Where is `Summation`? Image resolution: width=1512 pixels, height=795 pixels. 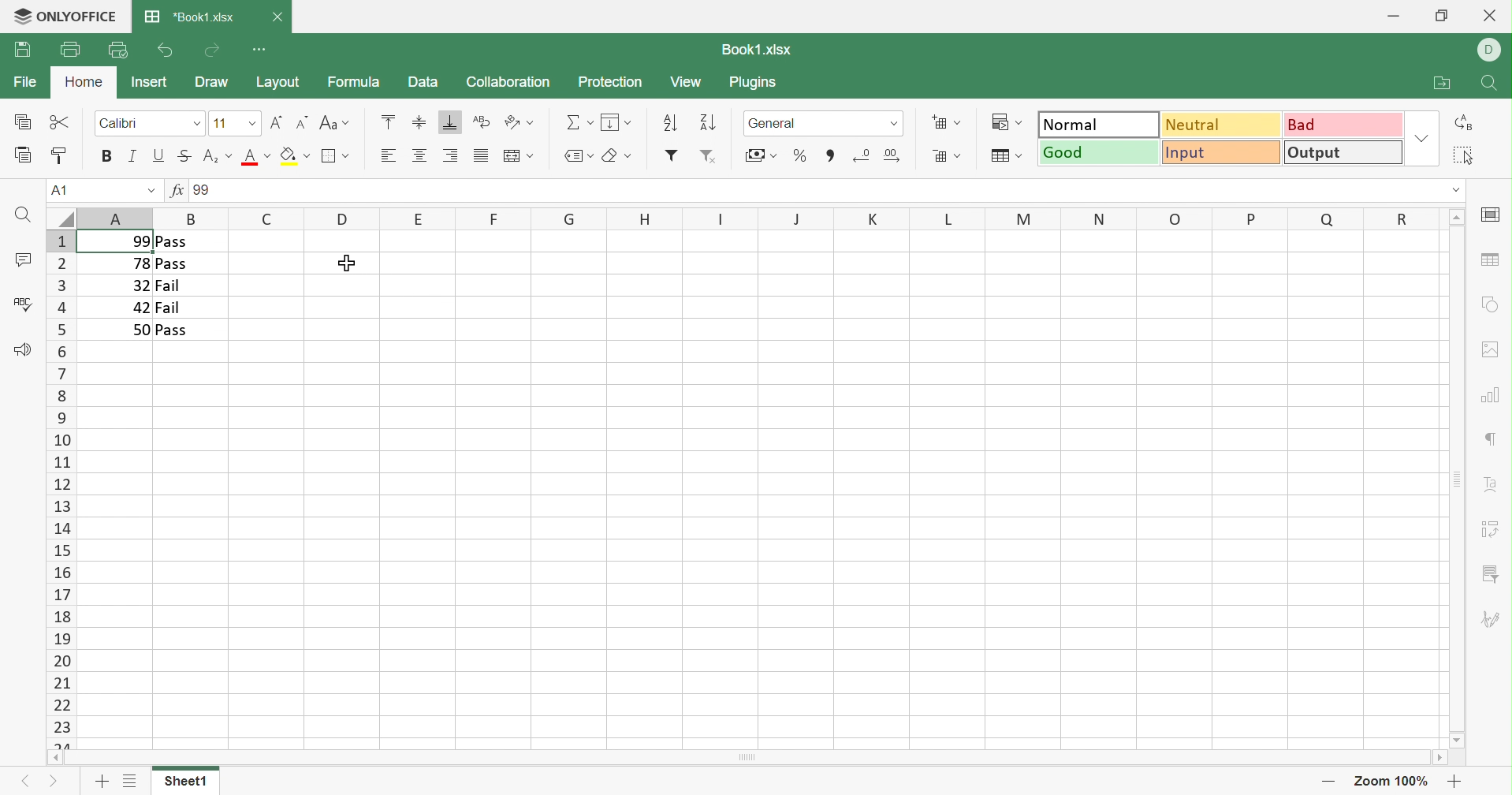
Summation is located at coordinates (579, 123).